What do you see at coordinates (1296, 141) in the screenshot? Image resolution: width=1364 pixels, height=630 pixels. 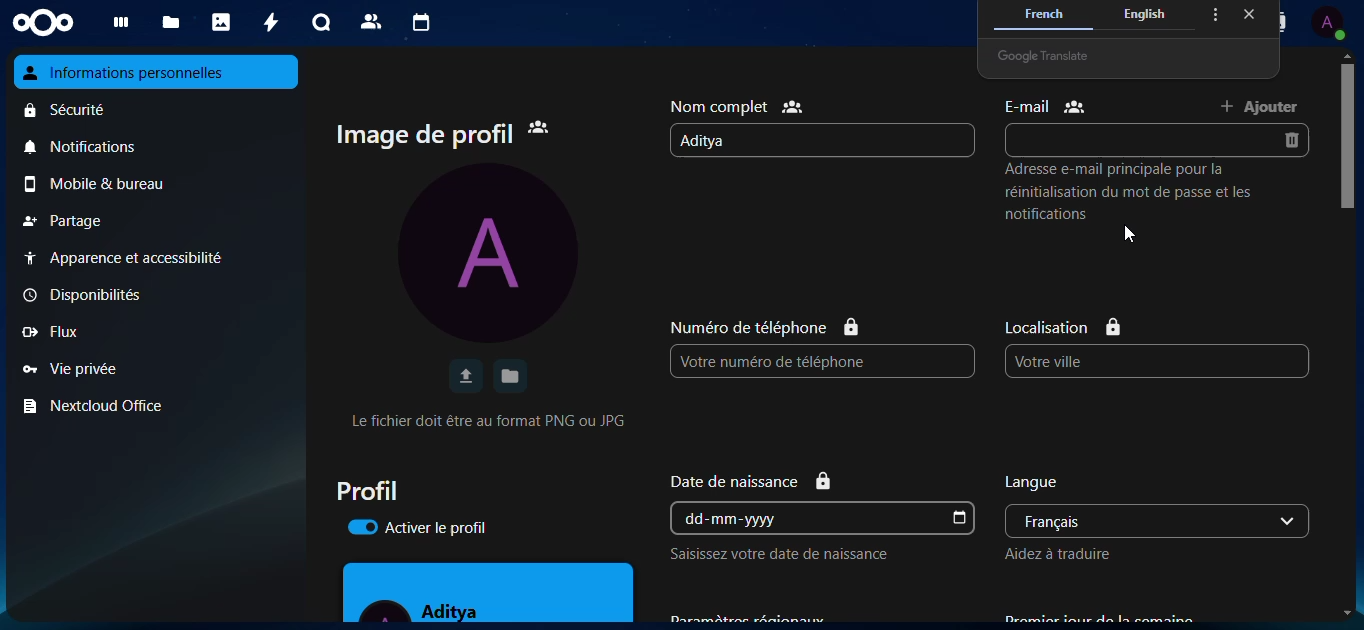 I see `delete` at bounding box center [1296, 141].